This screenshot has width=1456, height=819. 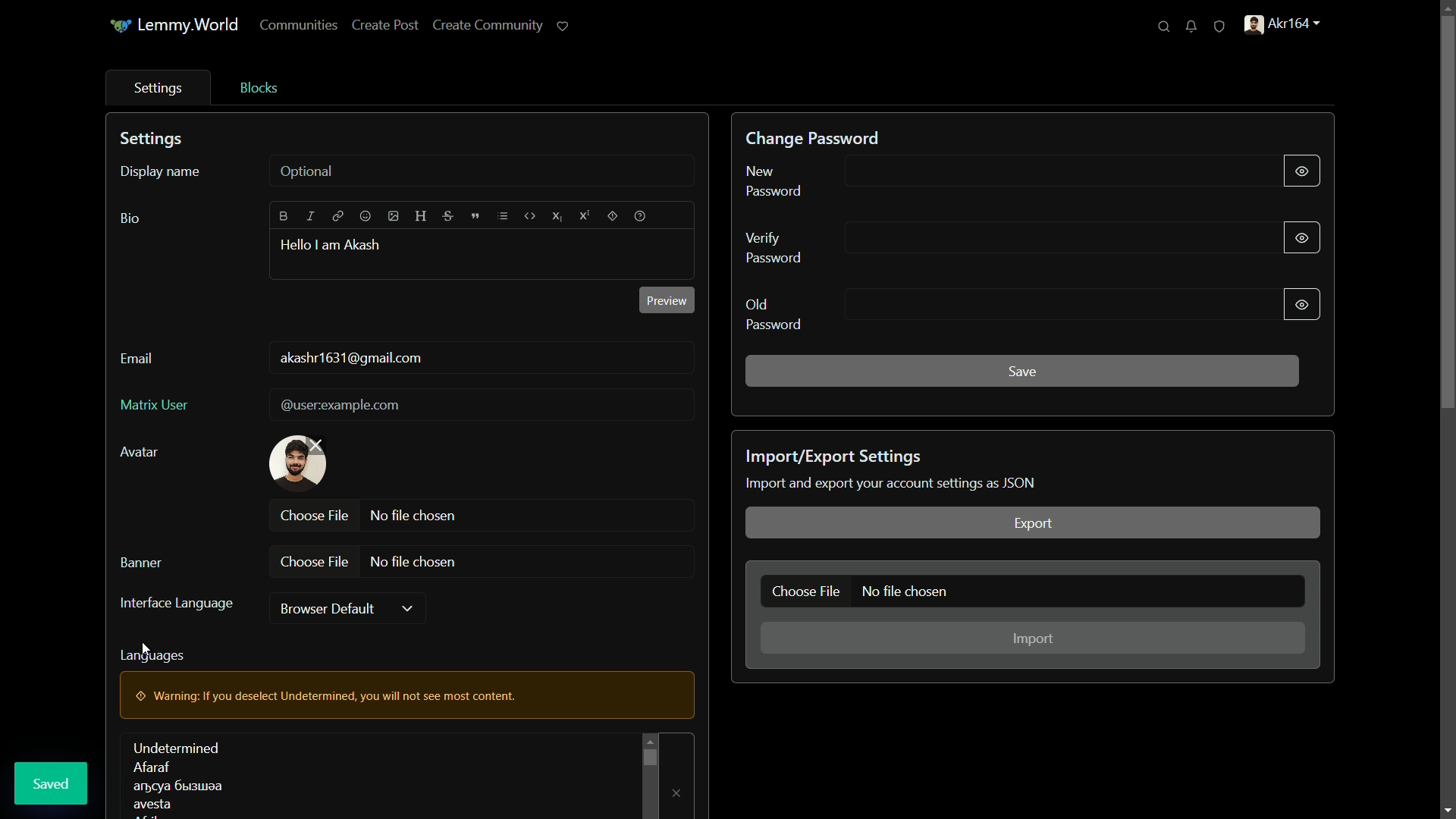 I want to click on save, so click(x=1022, y=372).